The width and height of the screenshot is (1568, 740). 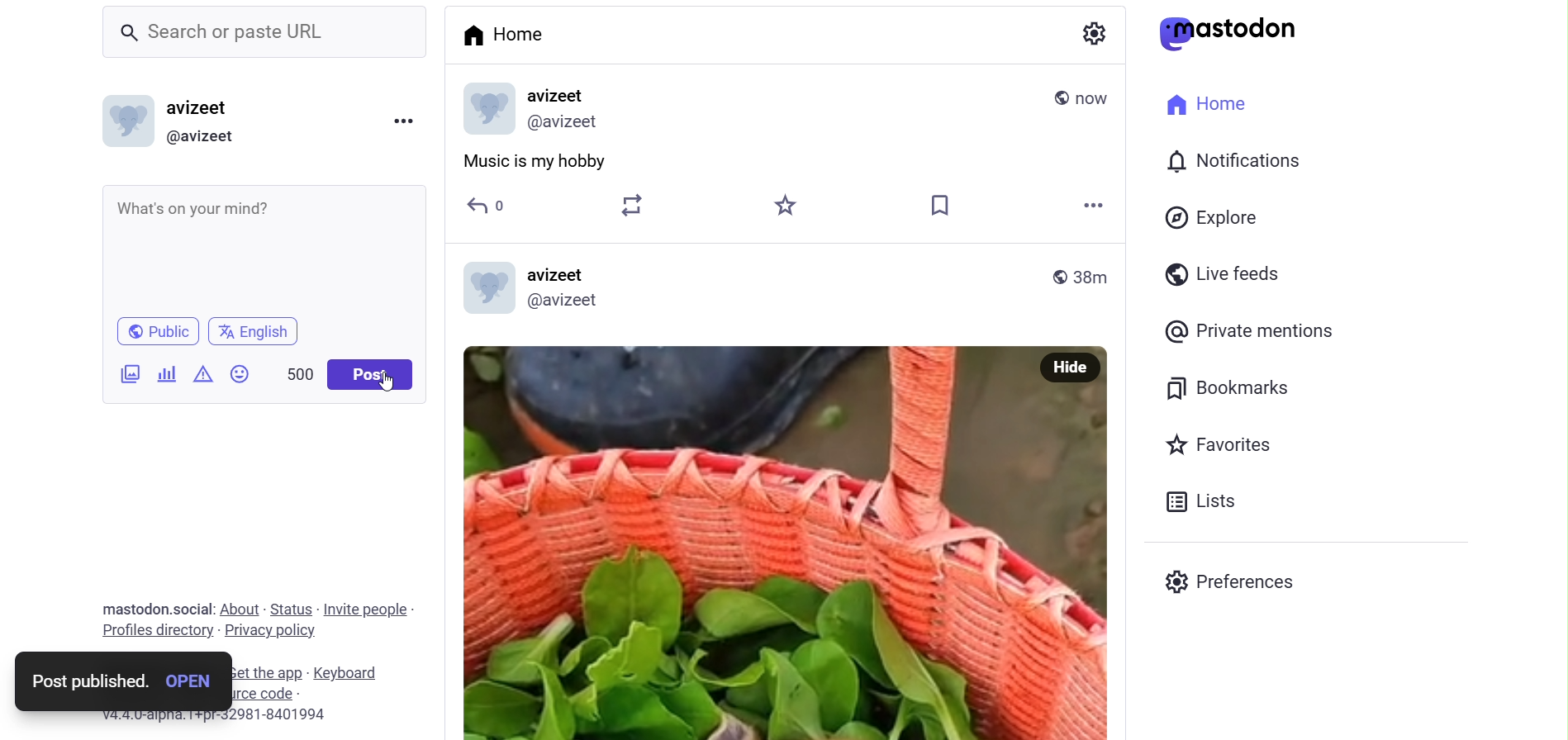 What do you see at coordinates (294, 374) in the screenshot?
I see `500` at bounding box center [294, 374].